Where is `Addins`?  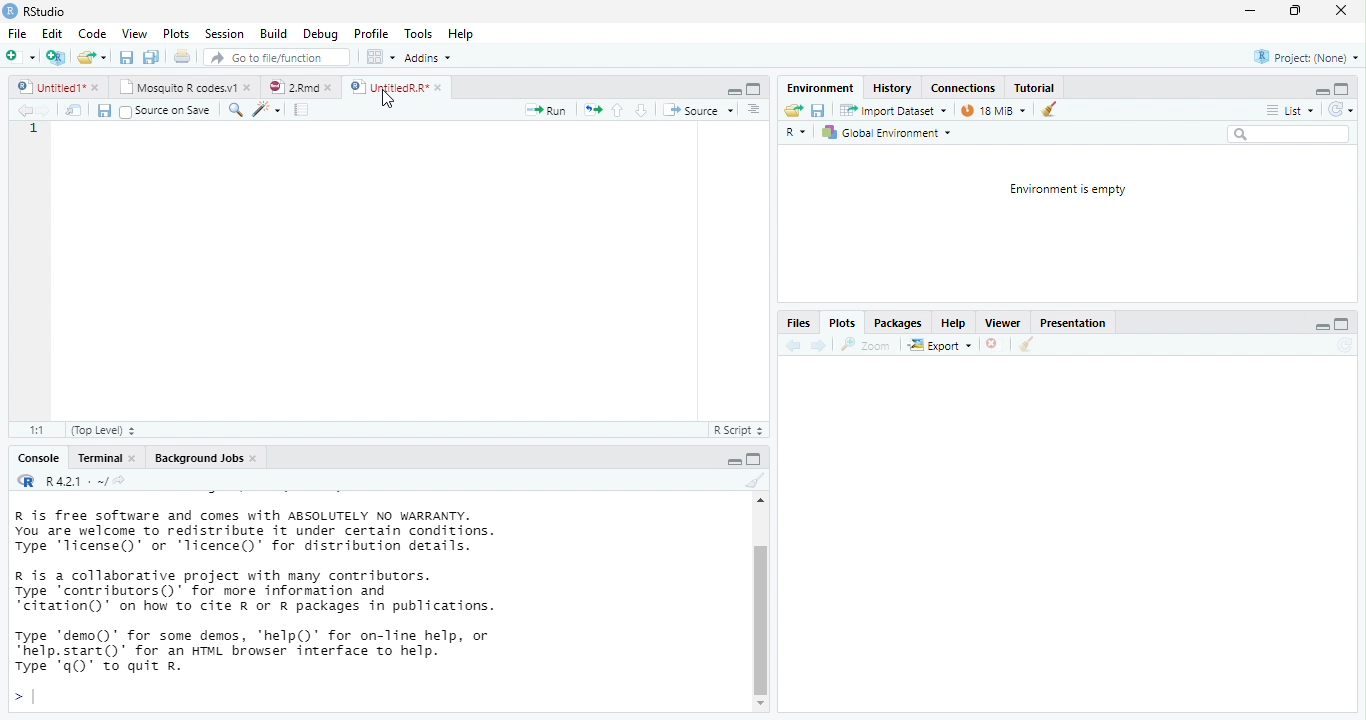 Addins is located at coordinates (428, 58).